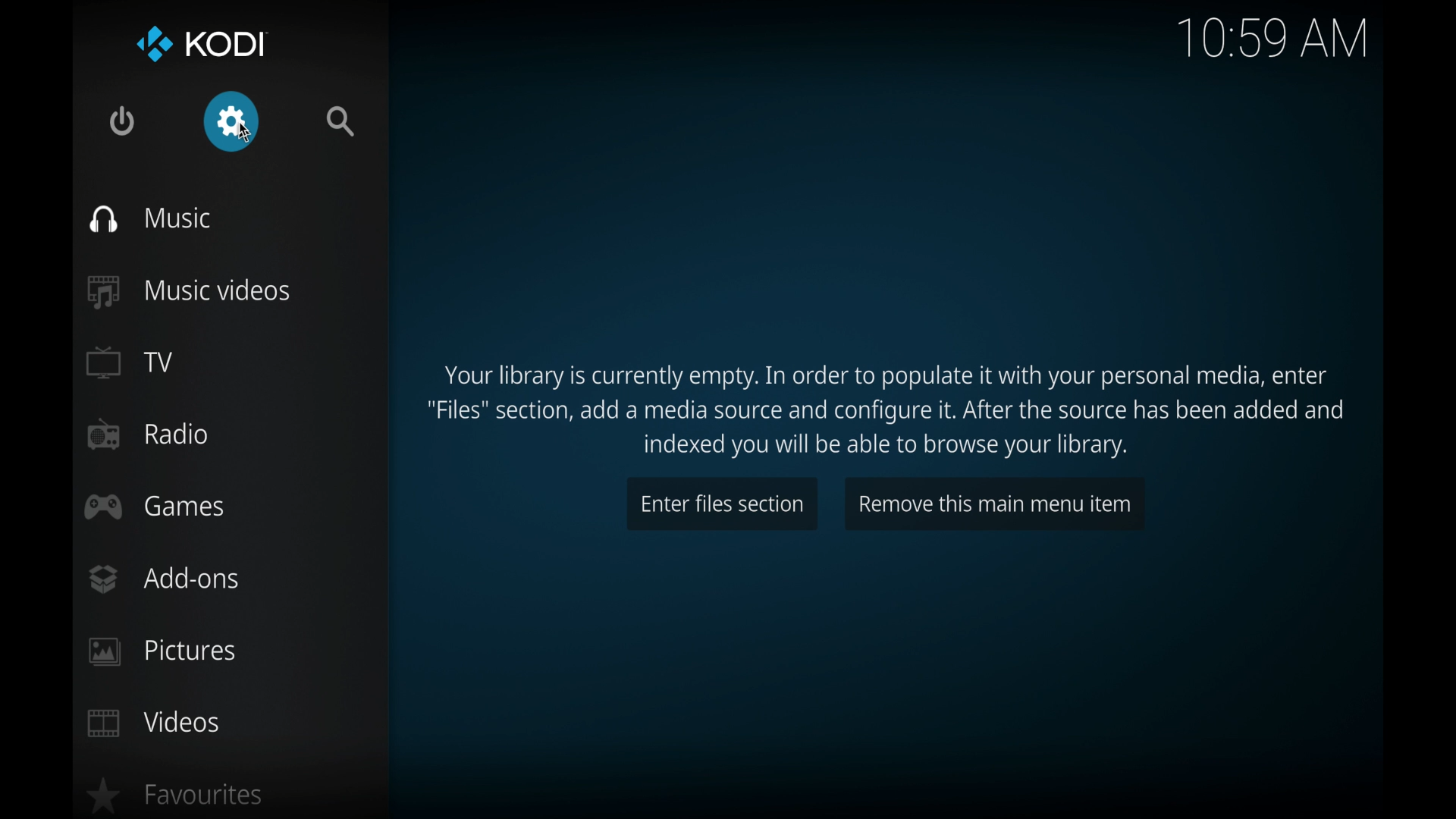 The width and height of the screenshot is (1456, 819). I want to click on music videos, so click(187, 291).